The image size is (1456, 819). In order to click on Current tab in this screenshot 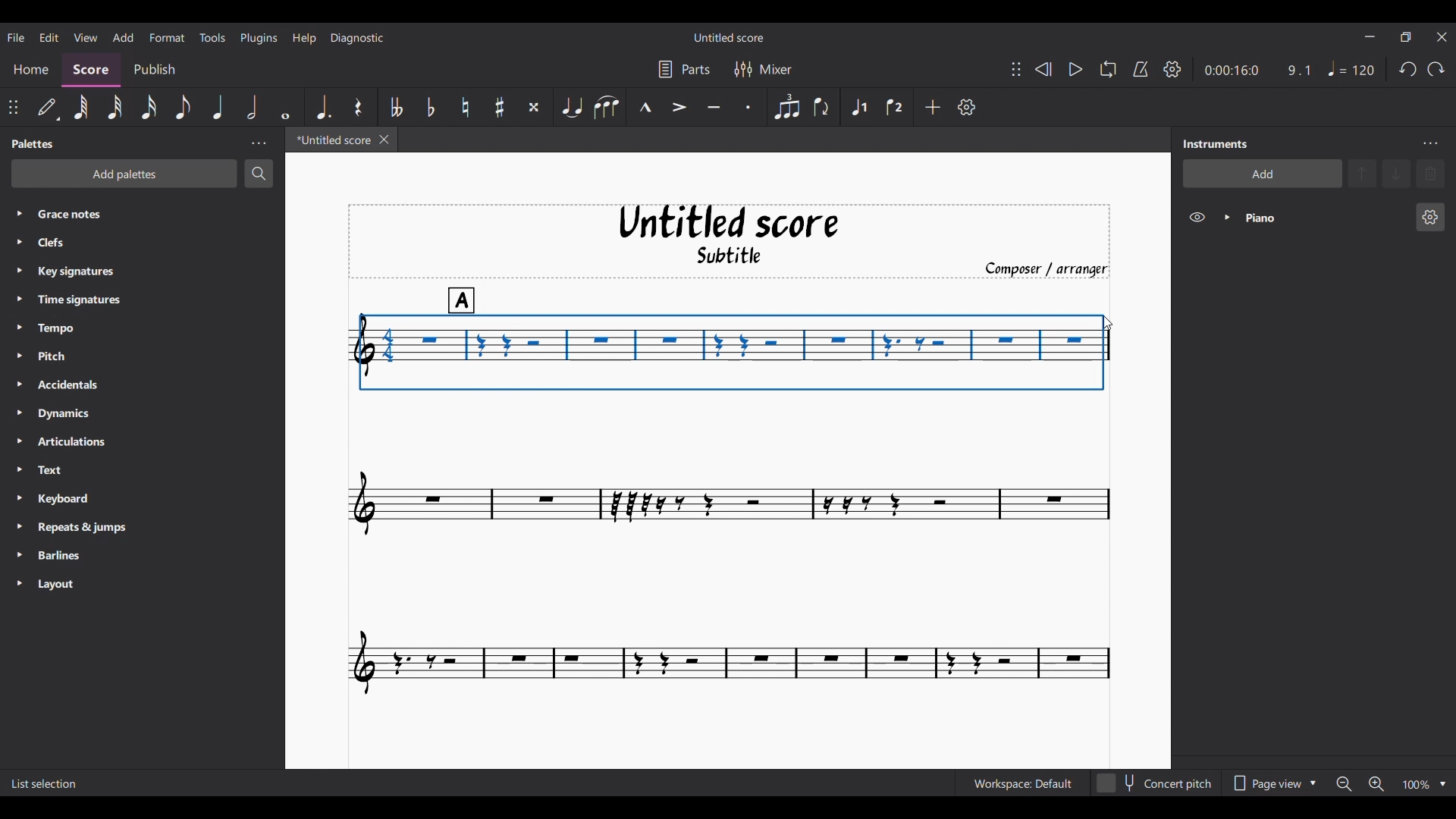, I will do `click(329, 140)`.